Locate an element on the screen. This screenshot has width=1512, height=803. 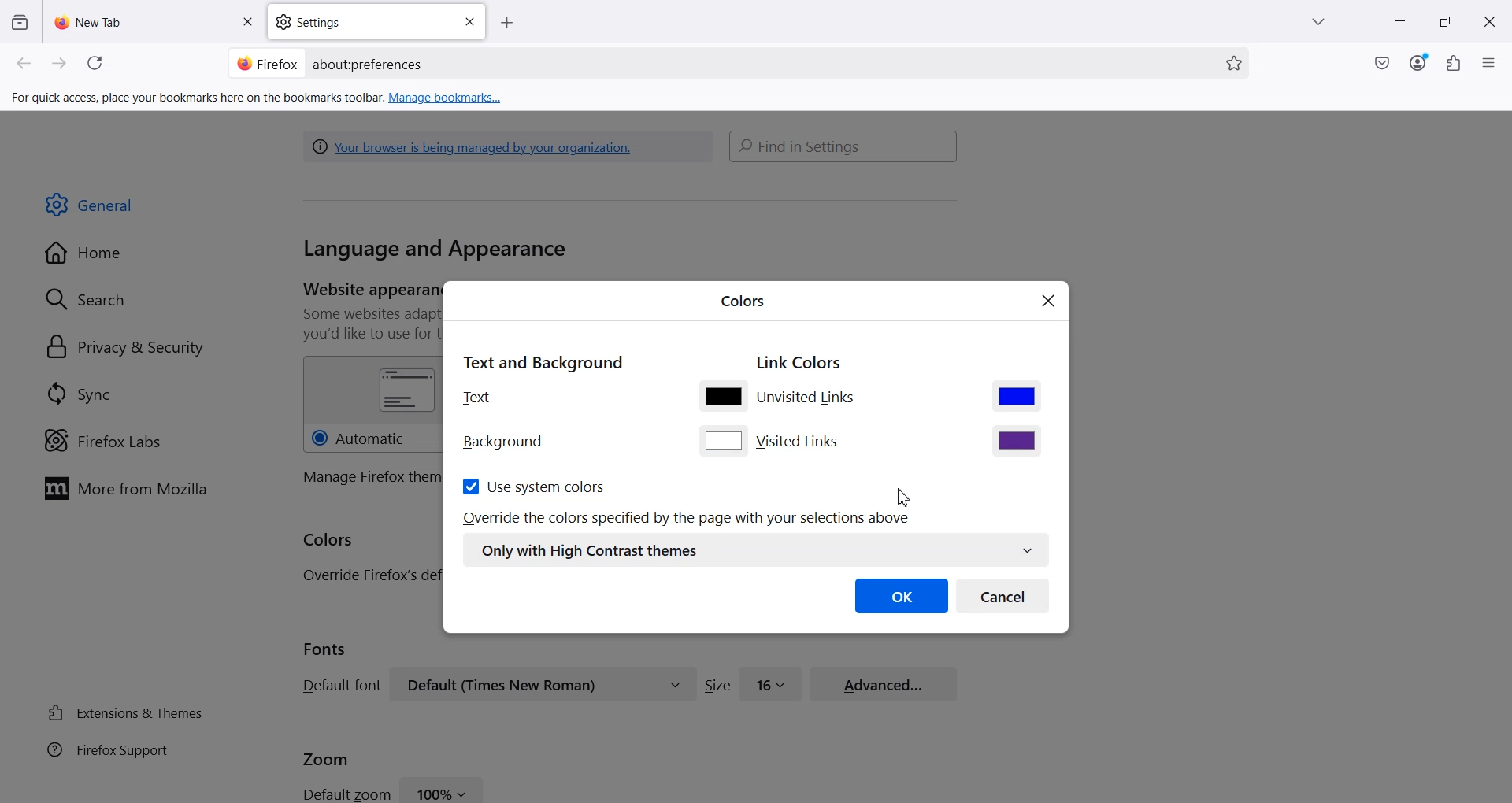
Language and Appearance is located at coordinates (435, 250).